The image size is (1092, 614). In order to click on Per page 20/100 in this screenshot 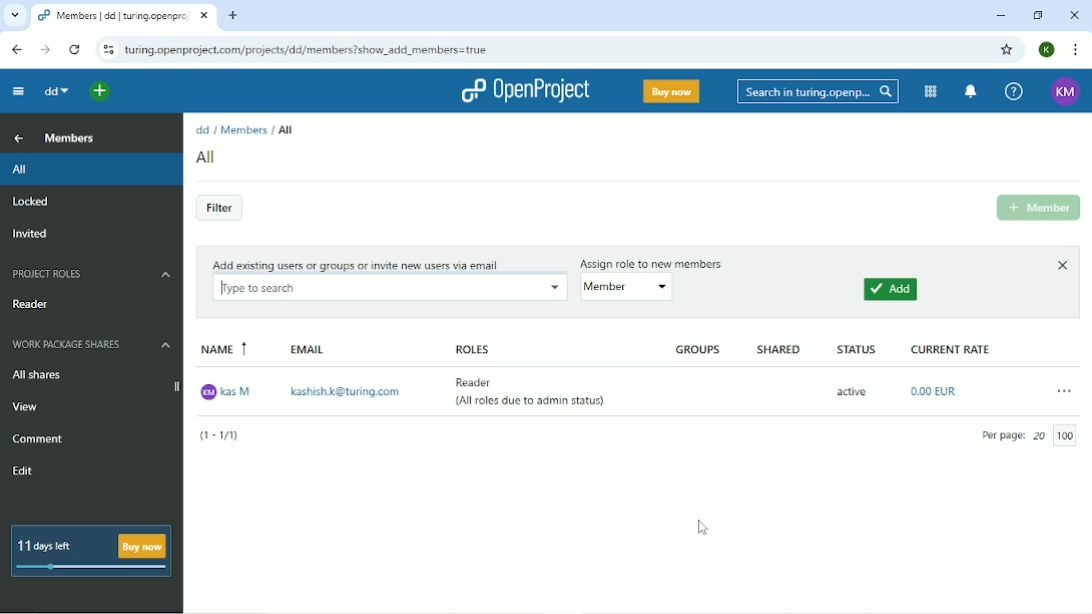, I will do `click(1032, 436)`.